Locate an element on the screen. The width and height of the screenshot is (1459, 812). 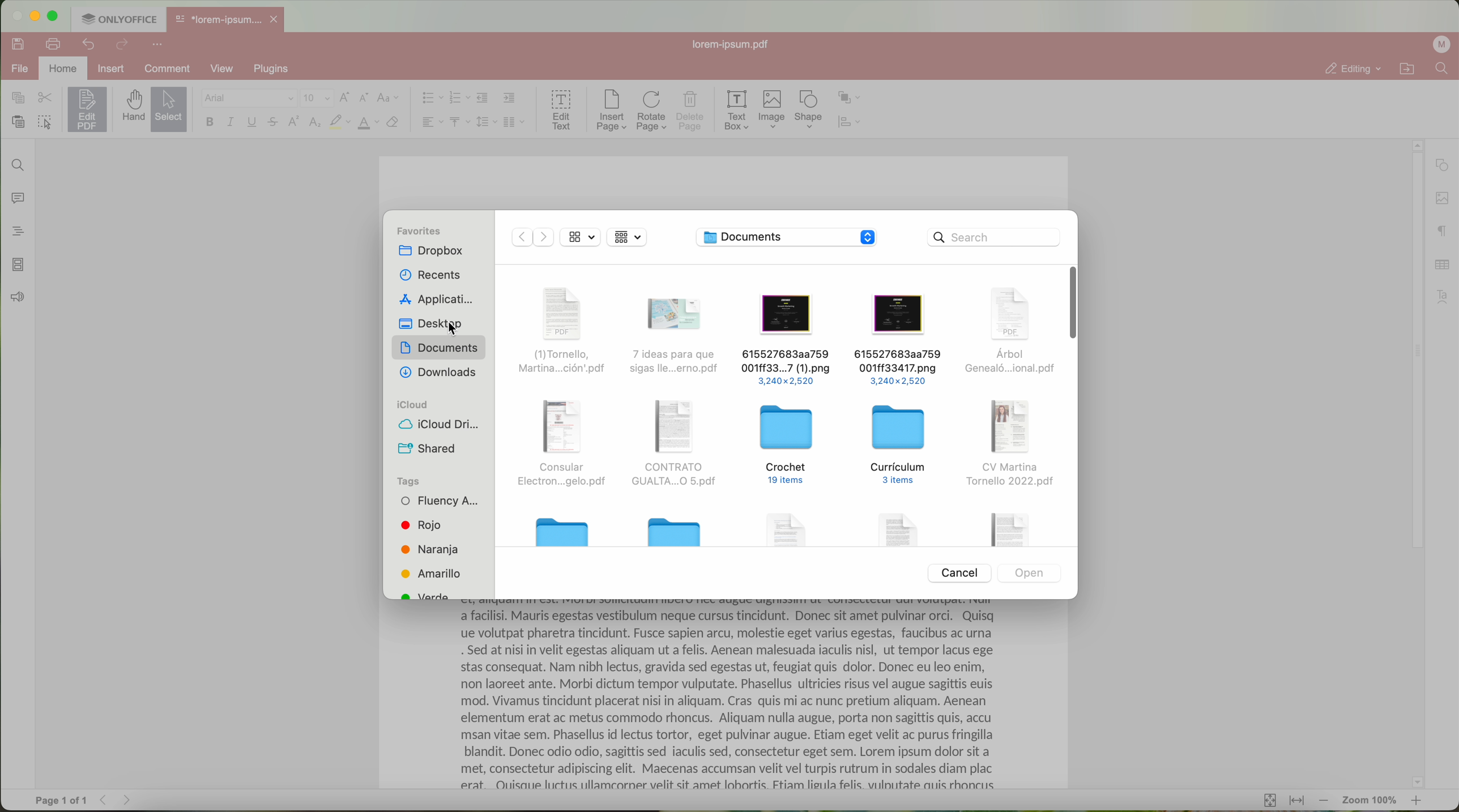
vertical align is located at coordinates (459, 122).